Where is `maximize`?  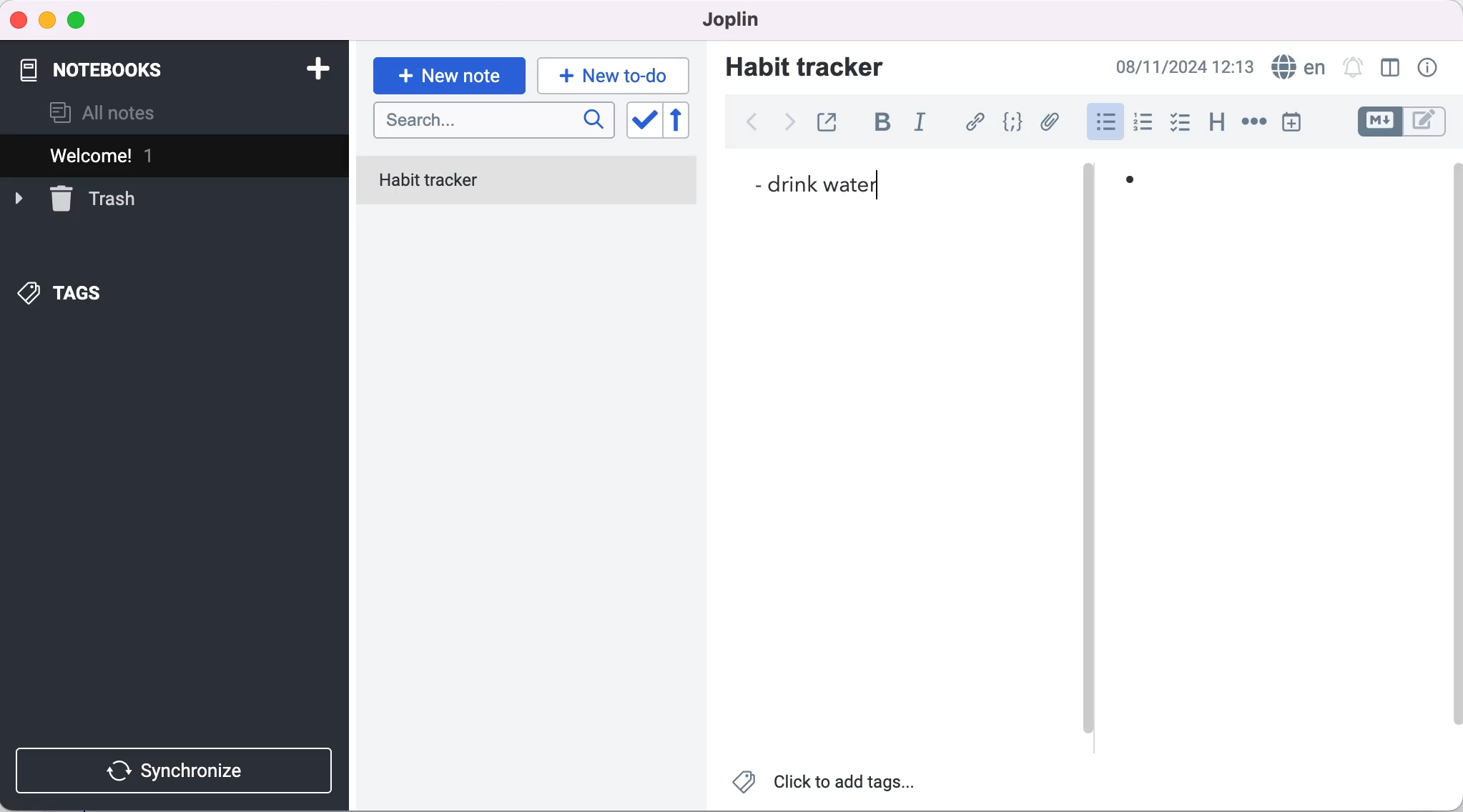
maximize is located at coordinates (79, 21).